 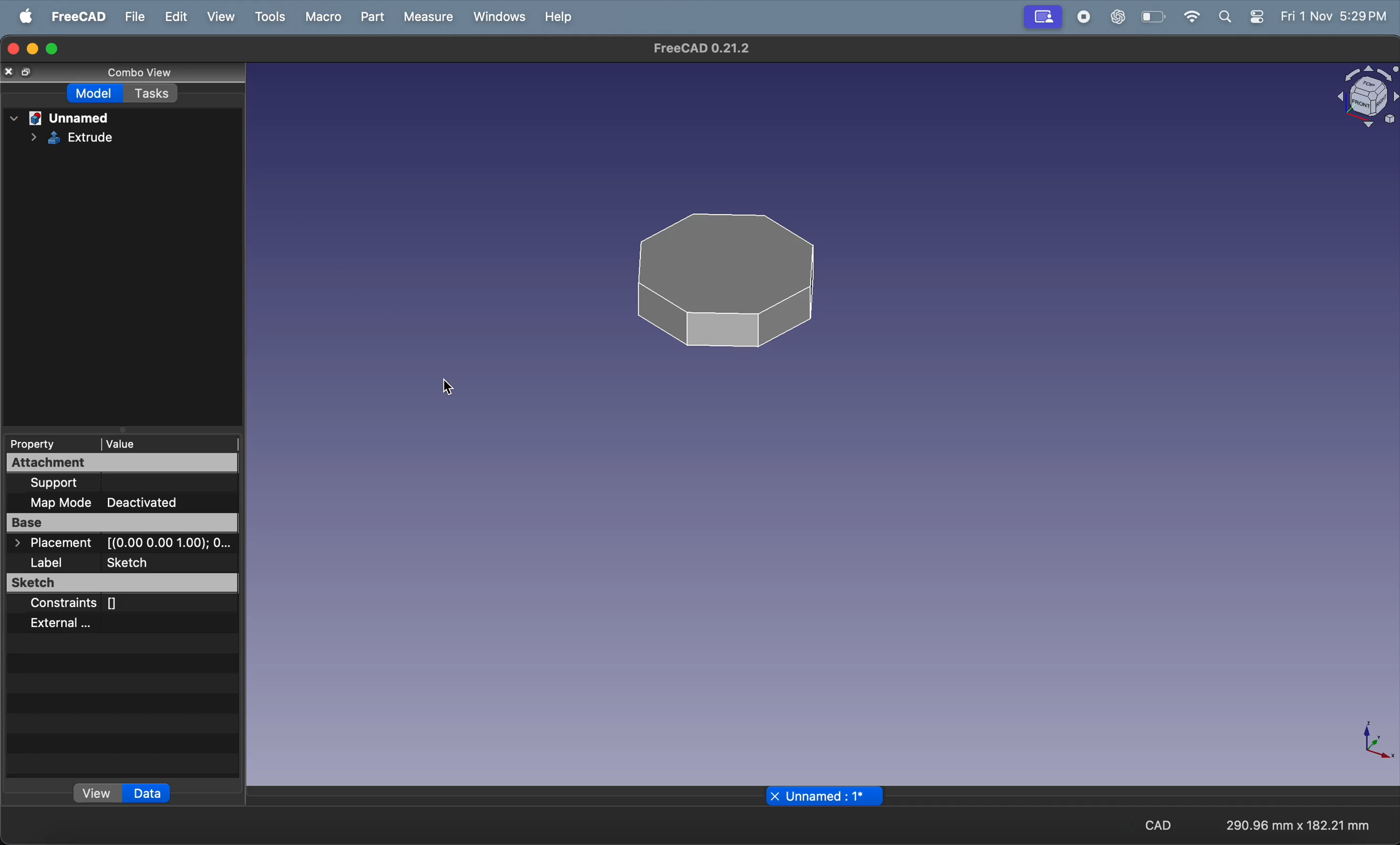 What do you see at coordinates (81, 136) in the screenshot?
I see `EXTRUDE` at bounding box center [81, 136].